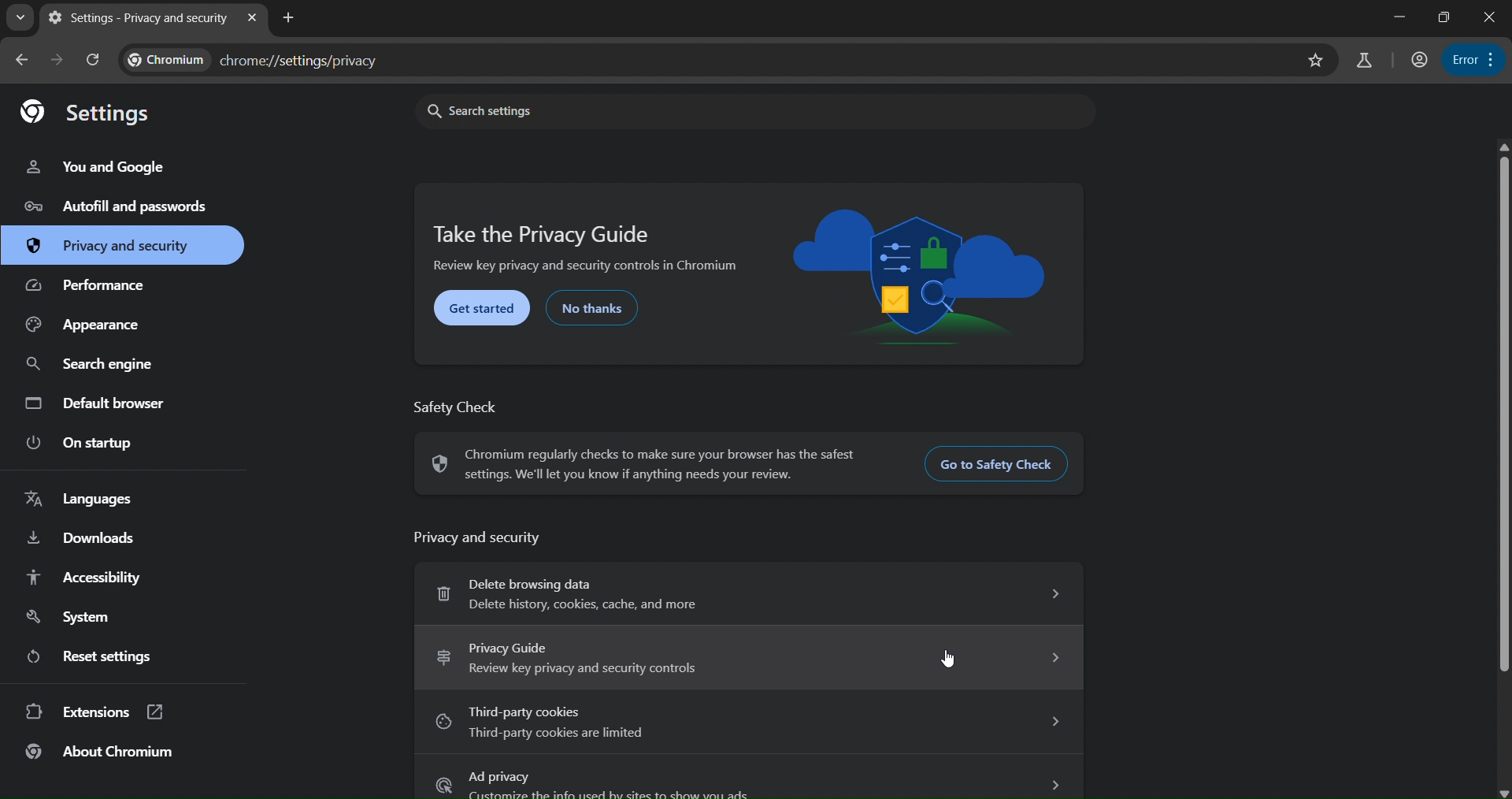 The height and width of the screenshot is (799, 1512). Describe the element at coordinates (87, 656) in the screenshot. I see `reset settings` at that location.